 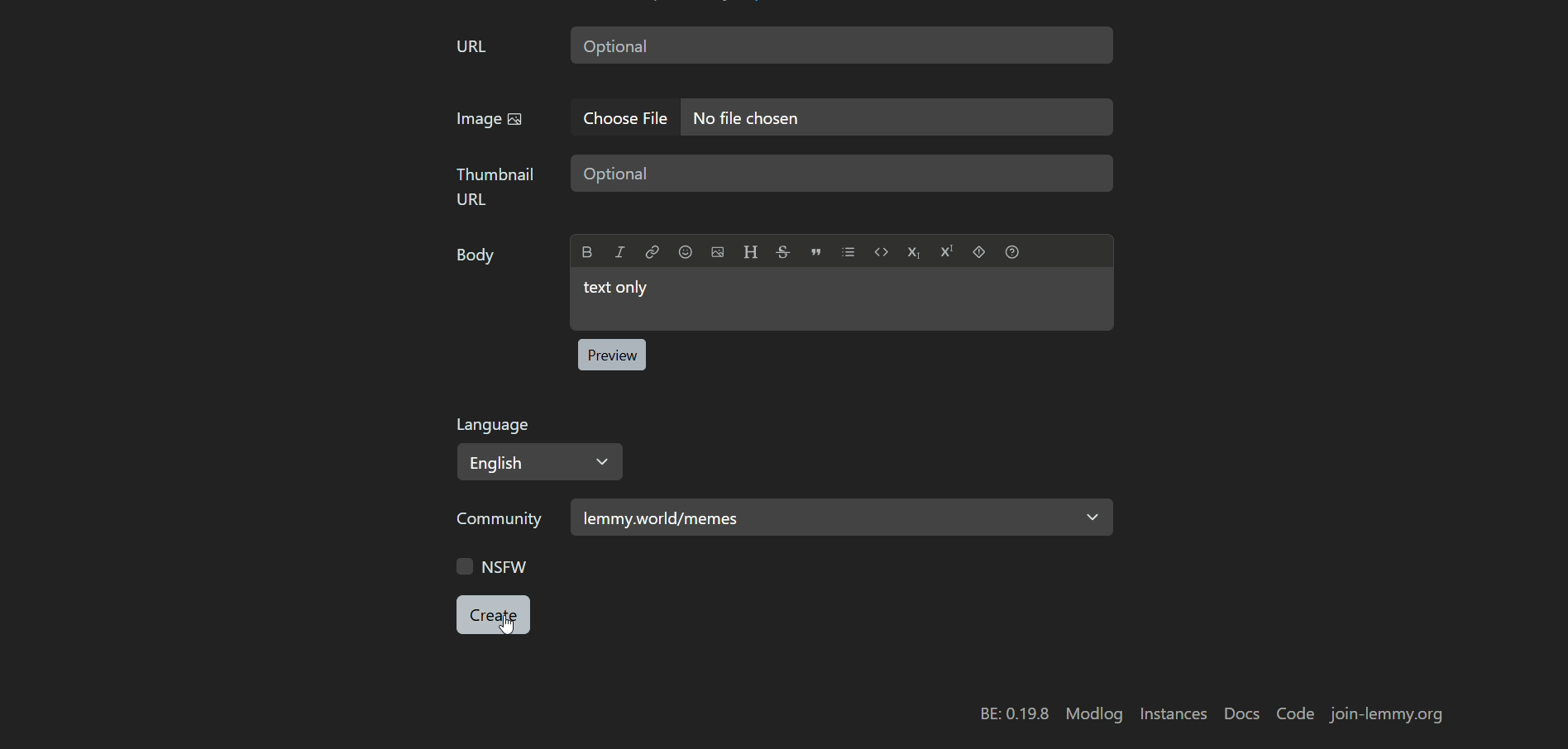 I want to click on text box, so click(x=841, y=299).